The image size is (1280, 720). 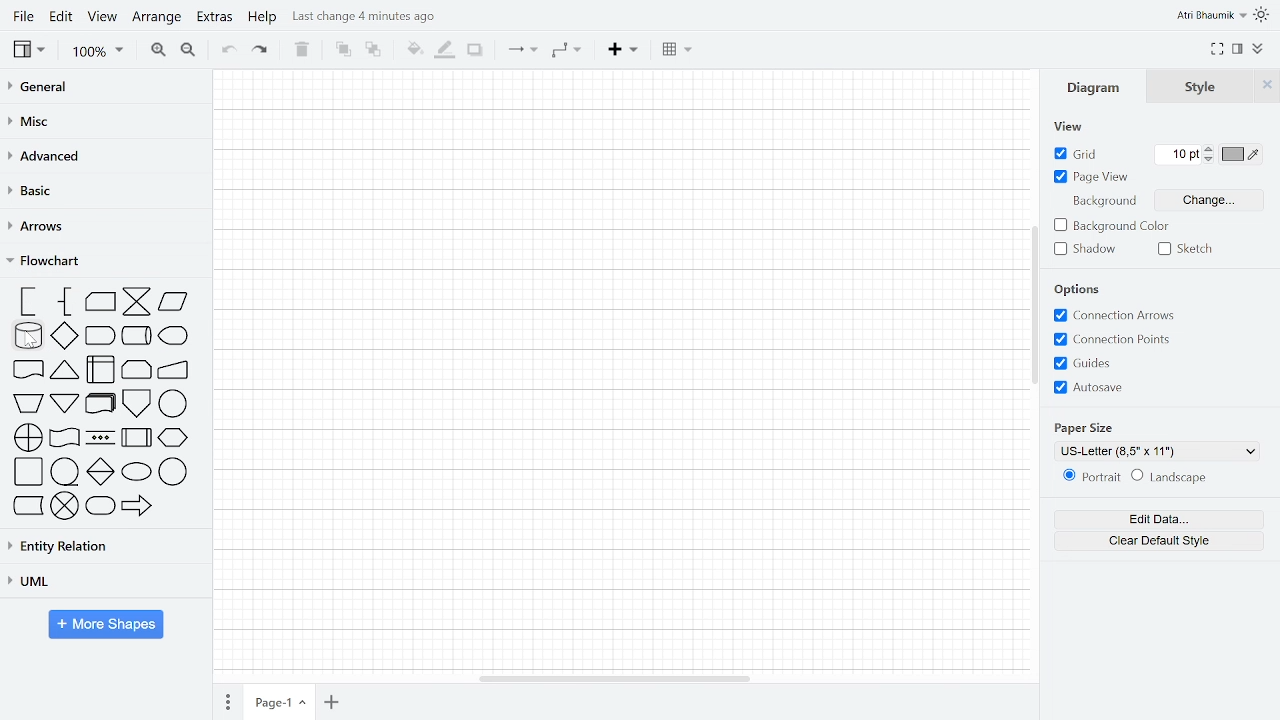 What do you see at coordinates (1242, 154) in the screenshot?
I see `Grid color` at bounding box center [1242, 154].